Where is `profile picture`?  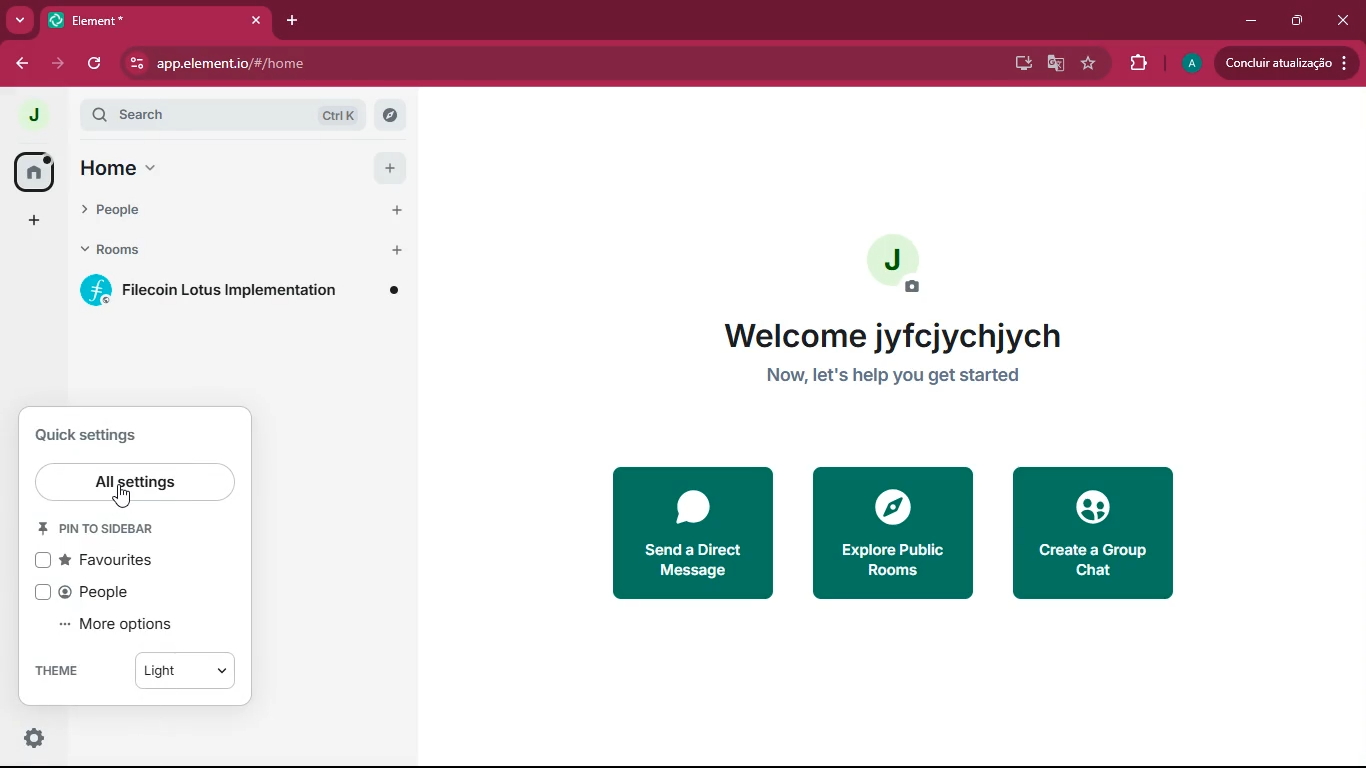
profile picture is located at coordinates (34, 114).